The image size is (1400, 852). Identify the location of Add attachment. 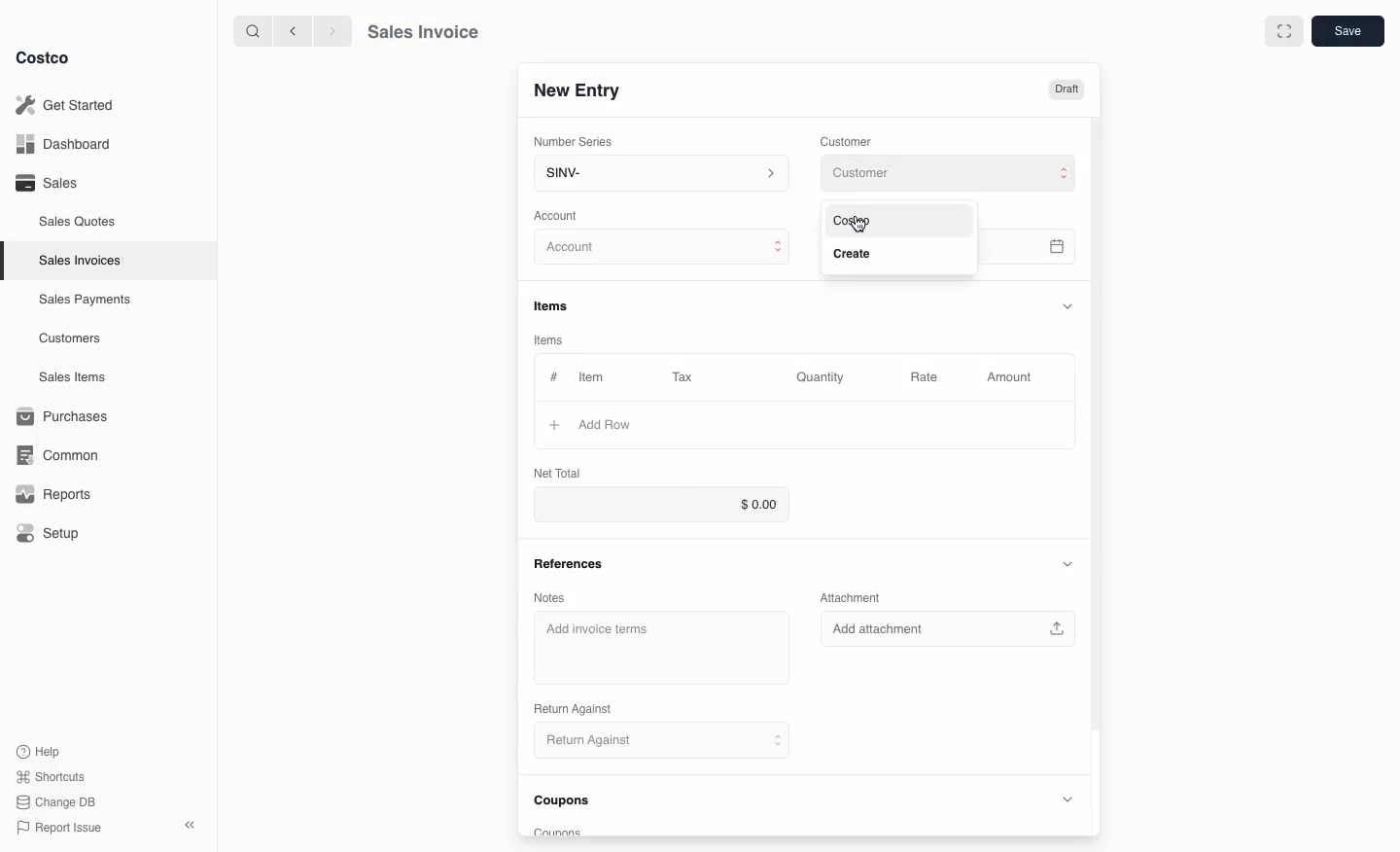
(953, 629).